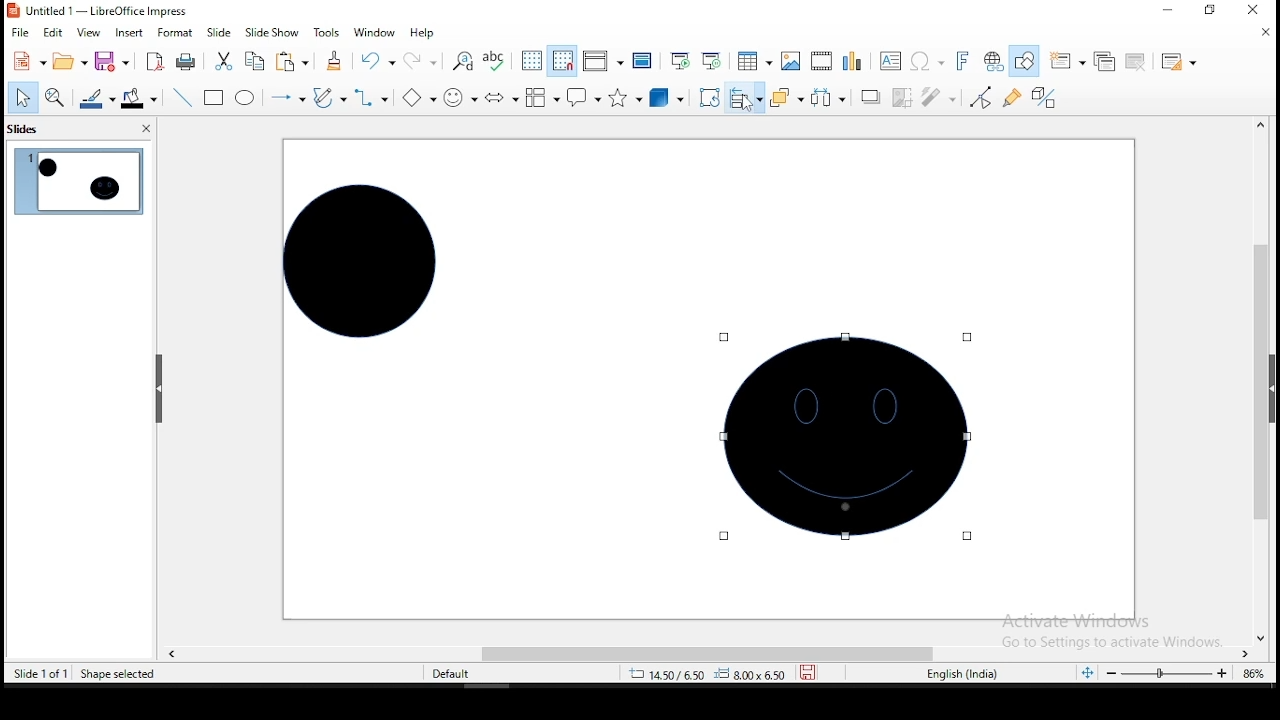 The height and width of the screenshot is (720, 1280). I want to click on crop image, so click(902, 97).